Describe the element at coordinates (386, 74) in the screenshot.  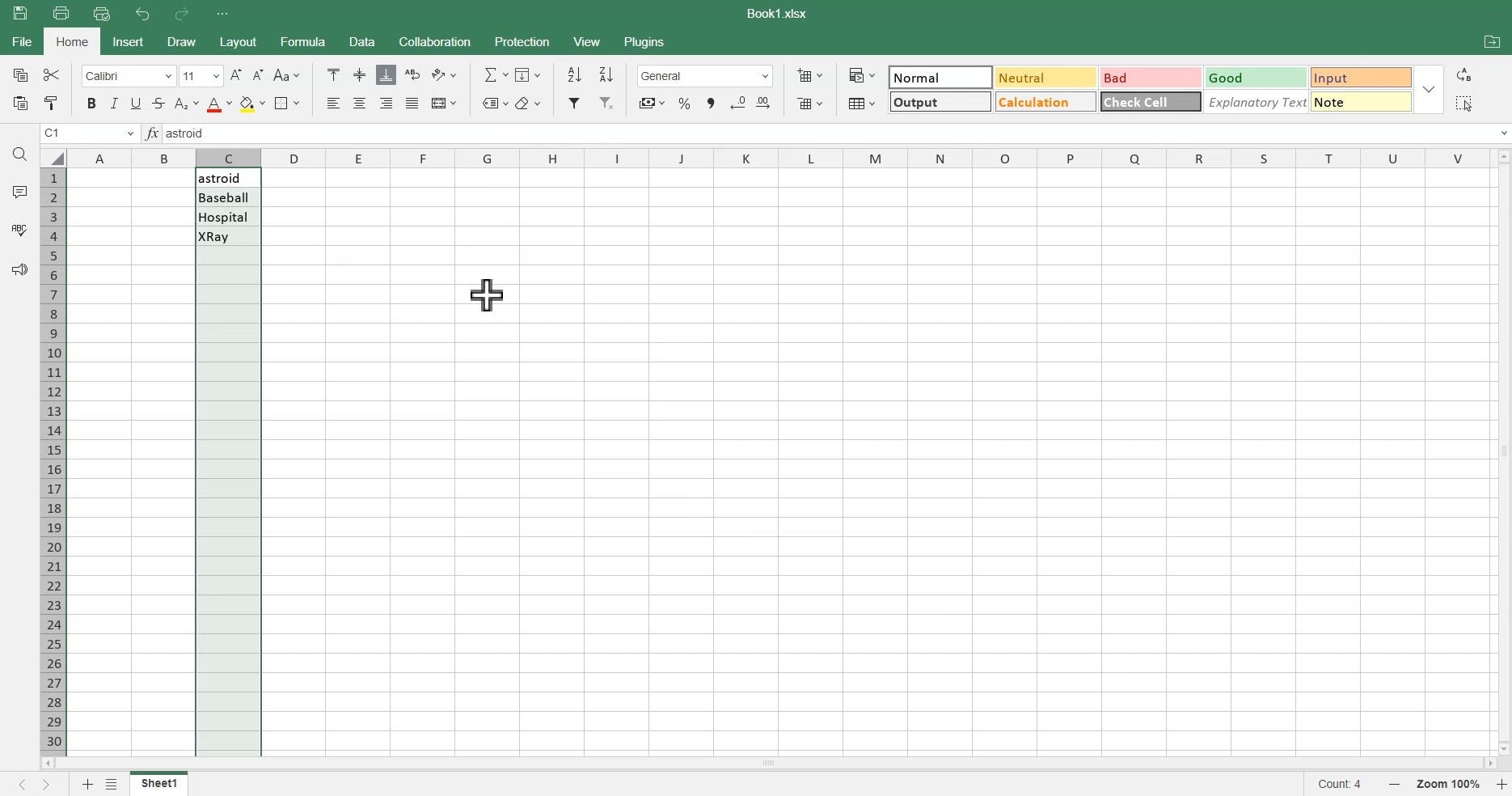
I see `Align Bottom` at that location.